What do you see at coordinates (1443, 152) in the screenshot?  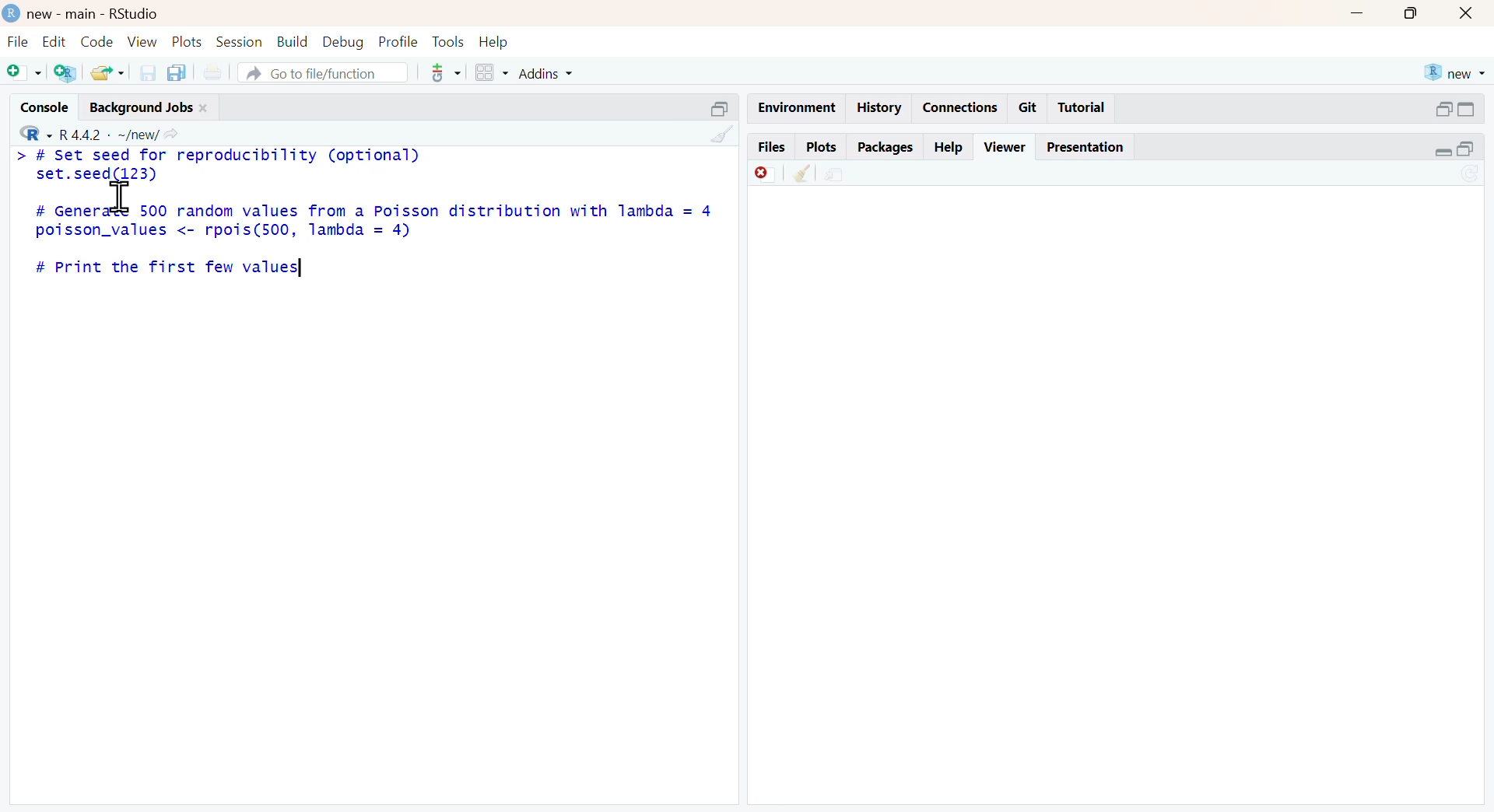 I see `expand/collapse` at bounding box center [1443, 152].